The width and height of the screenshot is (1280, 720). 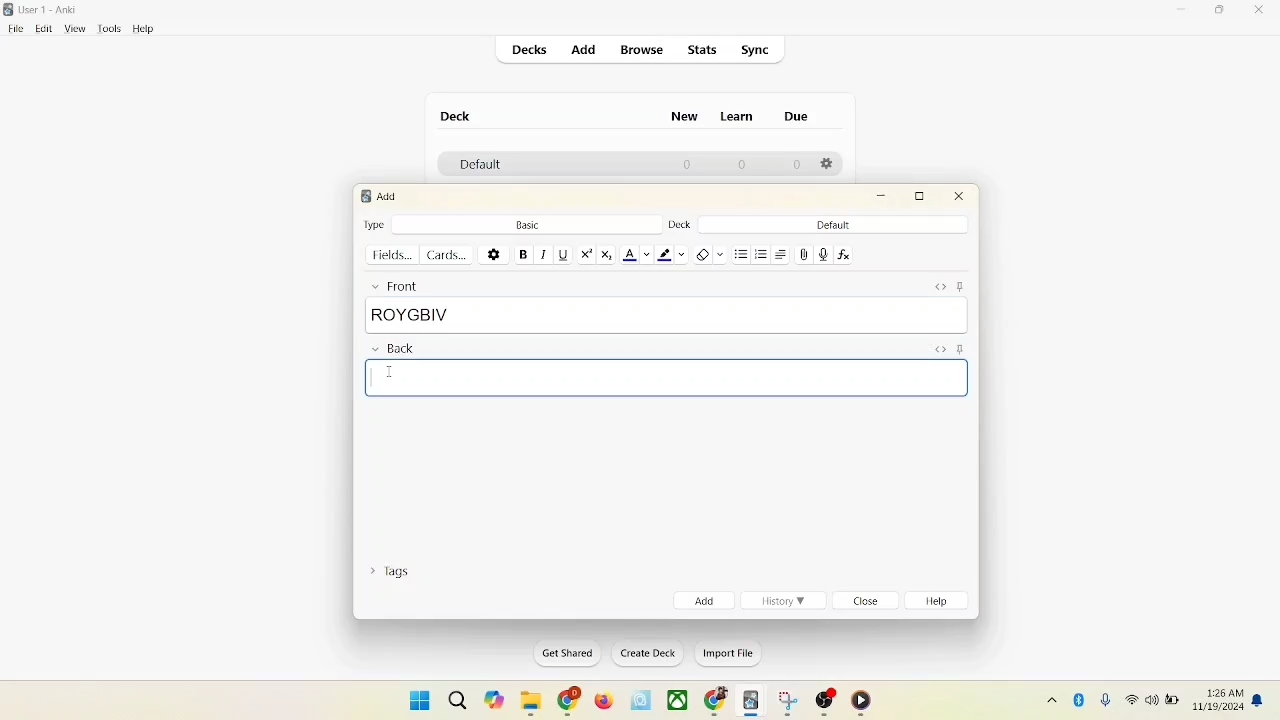 I want to click on search, so click(x=456, y=696).